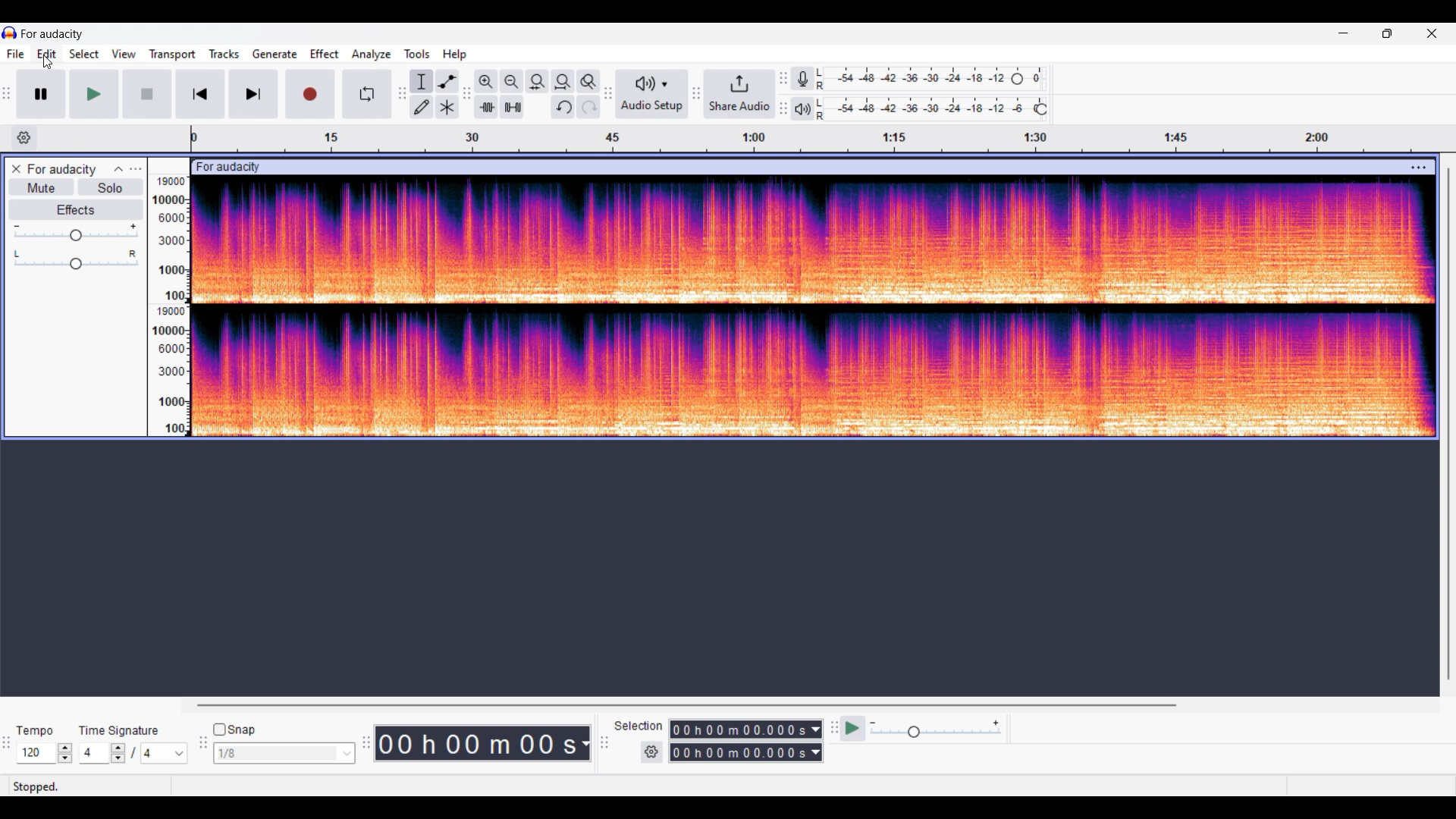 This screenshot has width=1456, height=819. What do you see at coordinates (455, 55) in the screenshot?
I see `Help menu` at bounding box center [455, 55].